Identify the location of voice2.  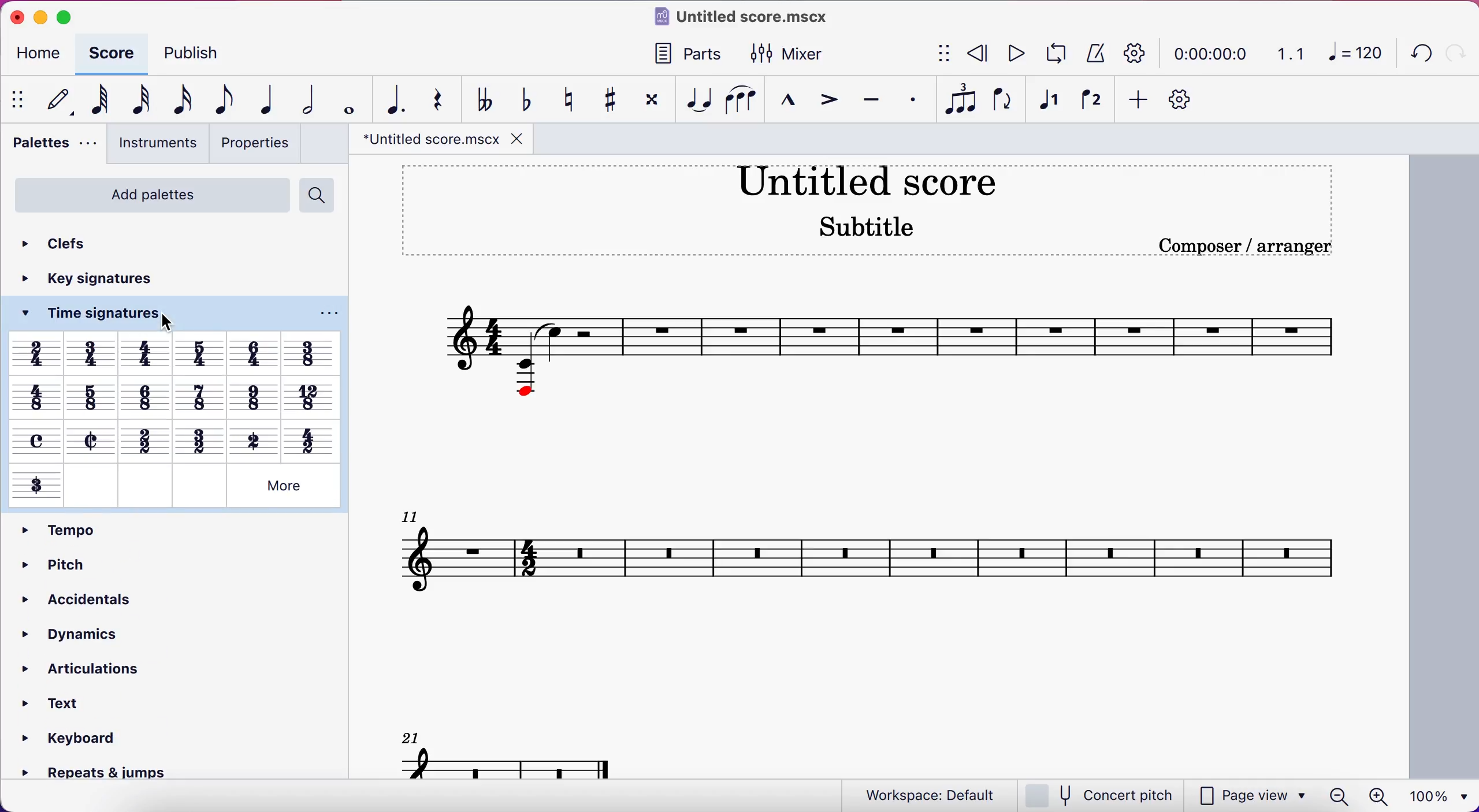
(1092, 100).